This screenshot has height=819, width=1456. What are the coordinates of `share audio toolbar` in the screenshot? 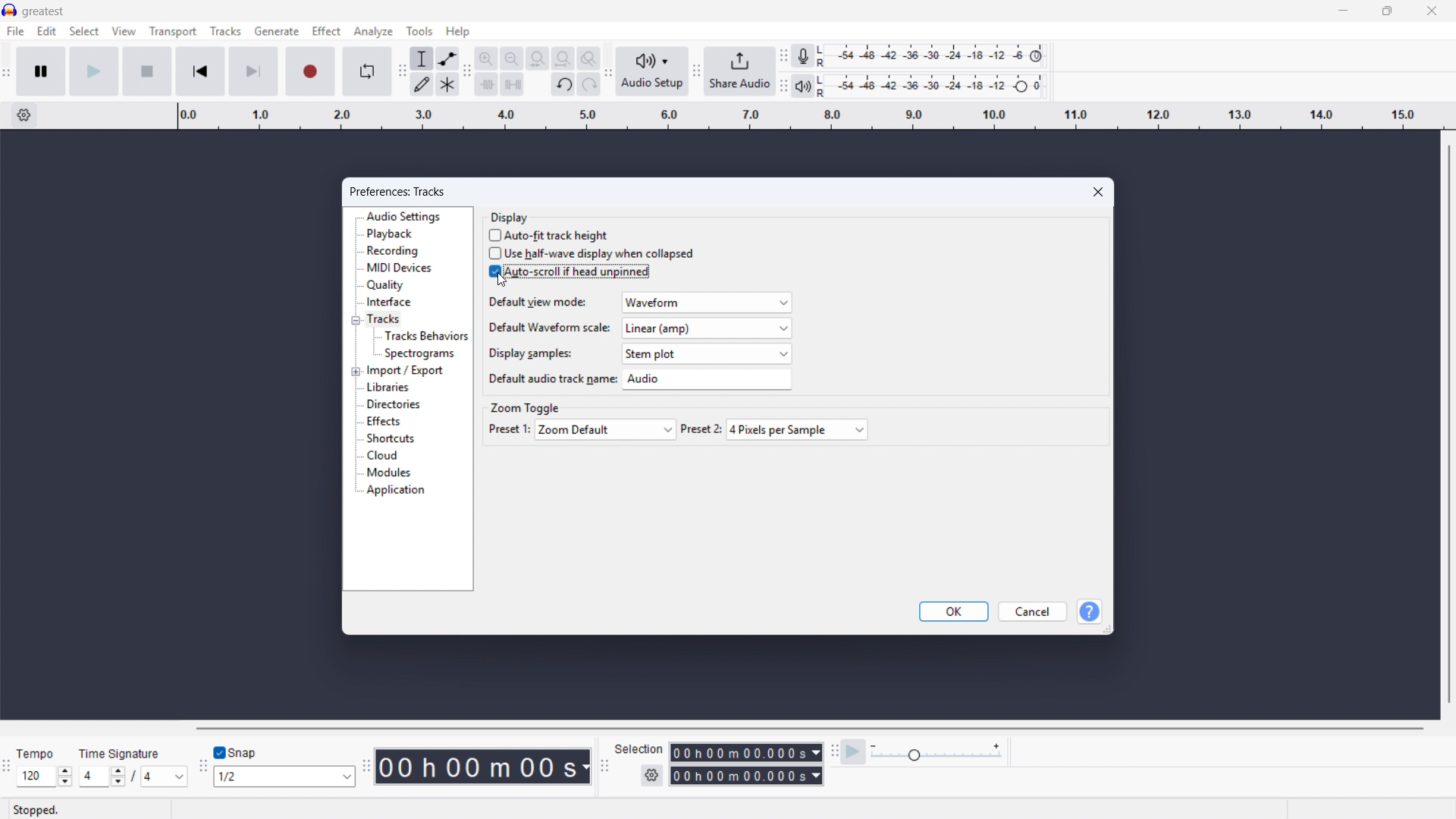 It's located at (696, 73).